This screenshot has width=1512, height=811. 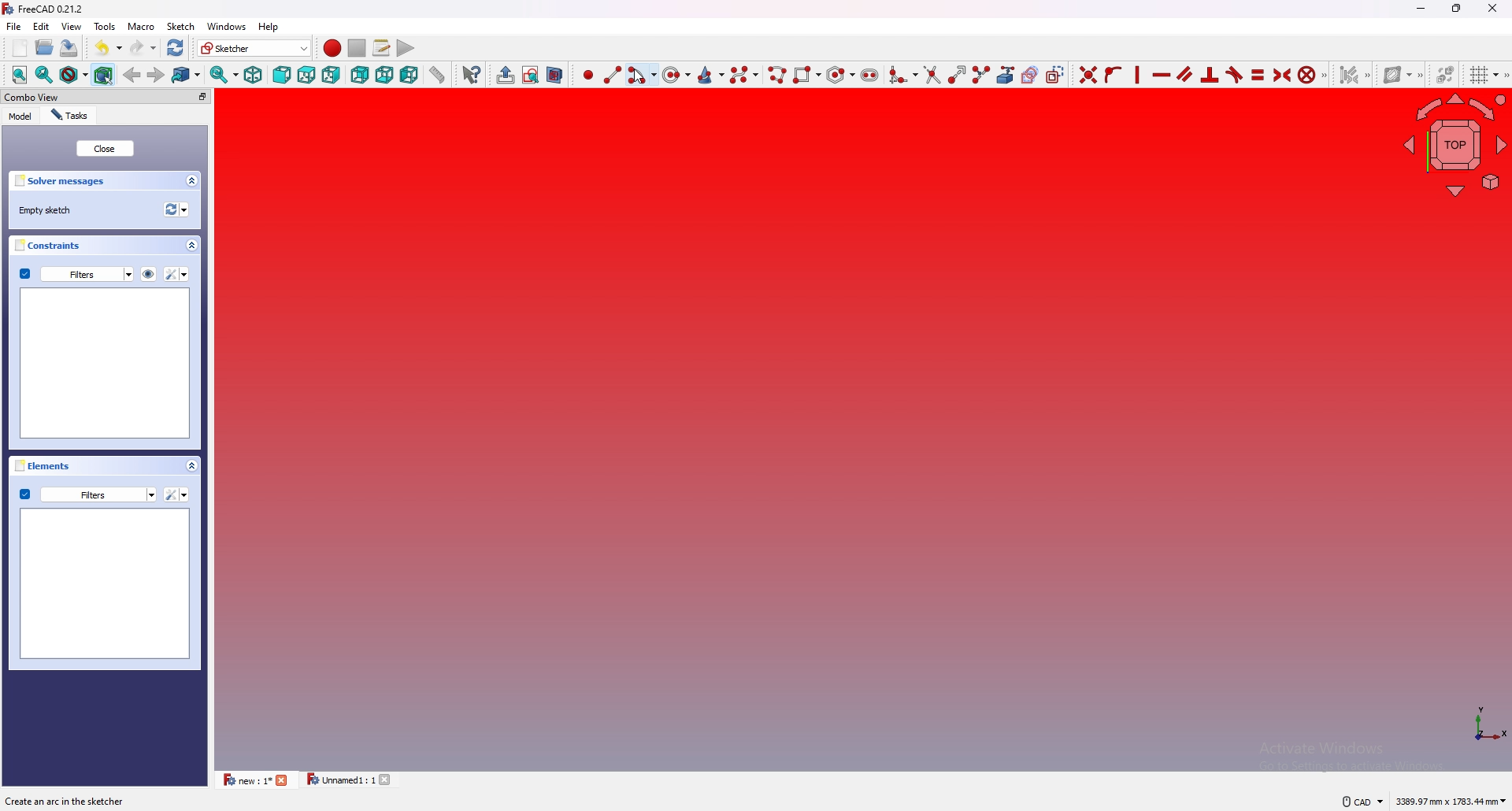 What do you see at coordinates (46, 465) in the screenshot?
I see `elements` at bounding box center [46, 465].